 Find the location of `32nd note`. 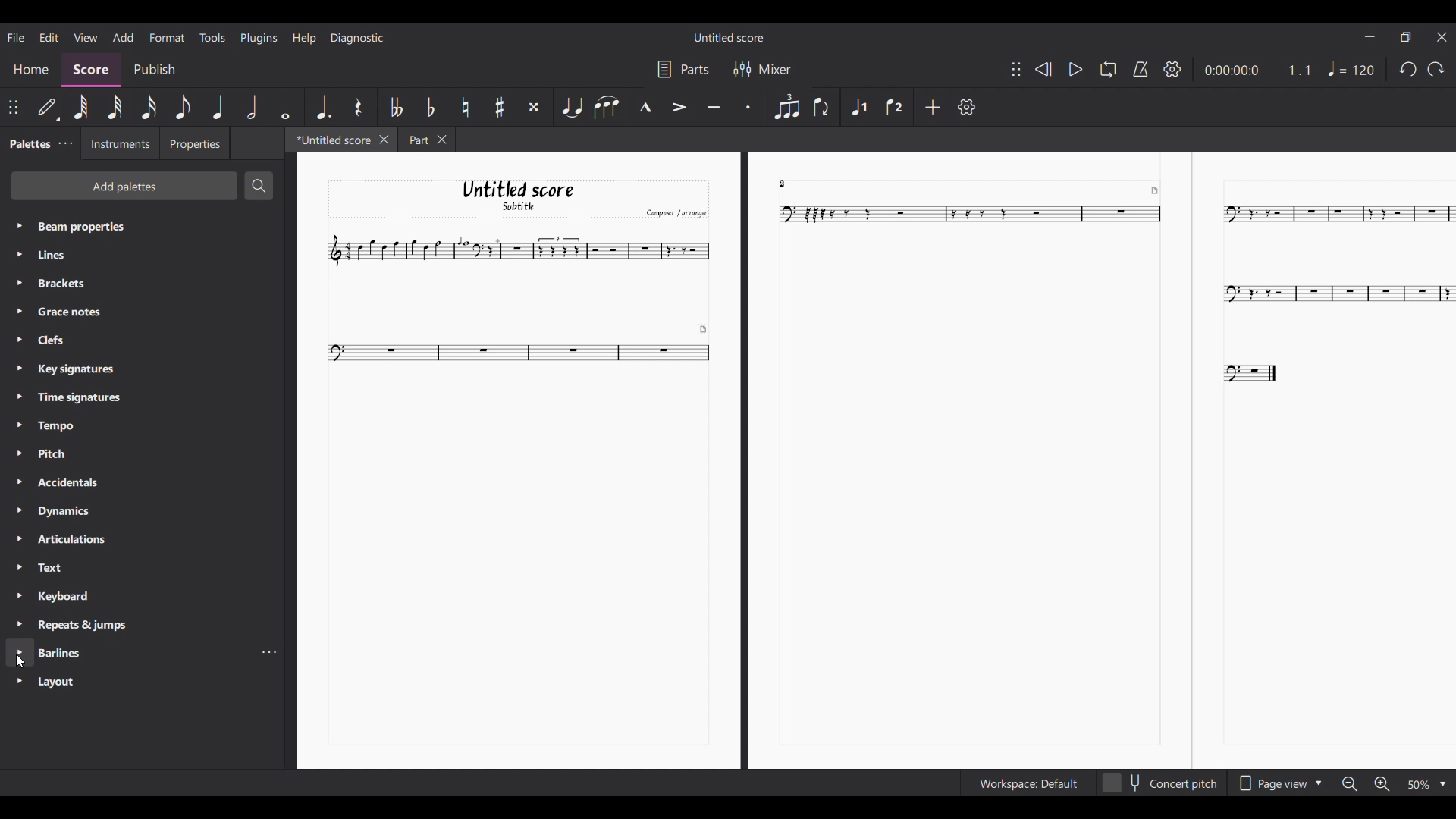

32nd note is located at coordinates (115, 107).